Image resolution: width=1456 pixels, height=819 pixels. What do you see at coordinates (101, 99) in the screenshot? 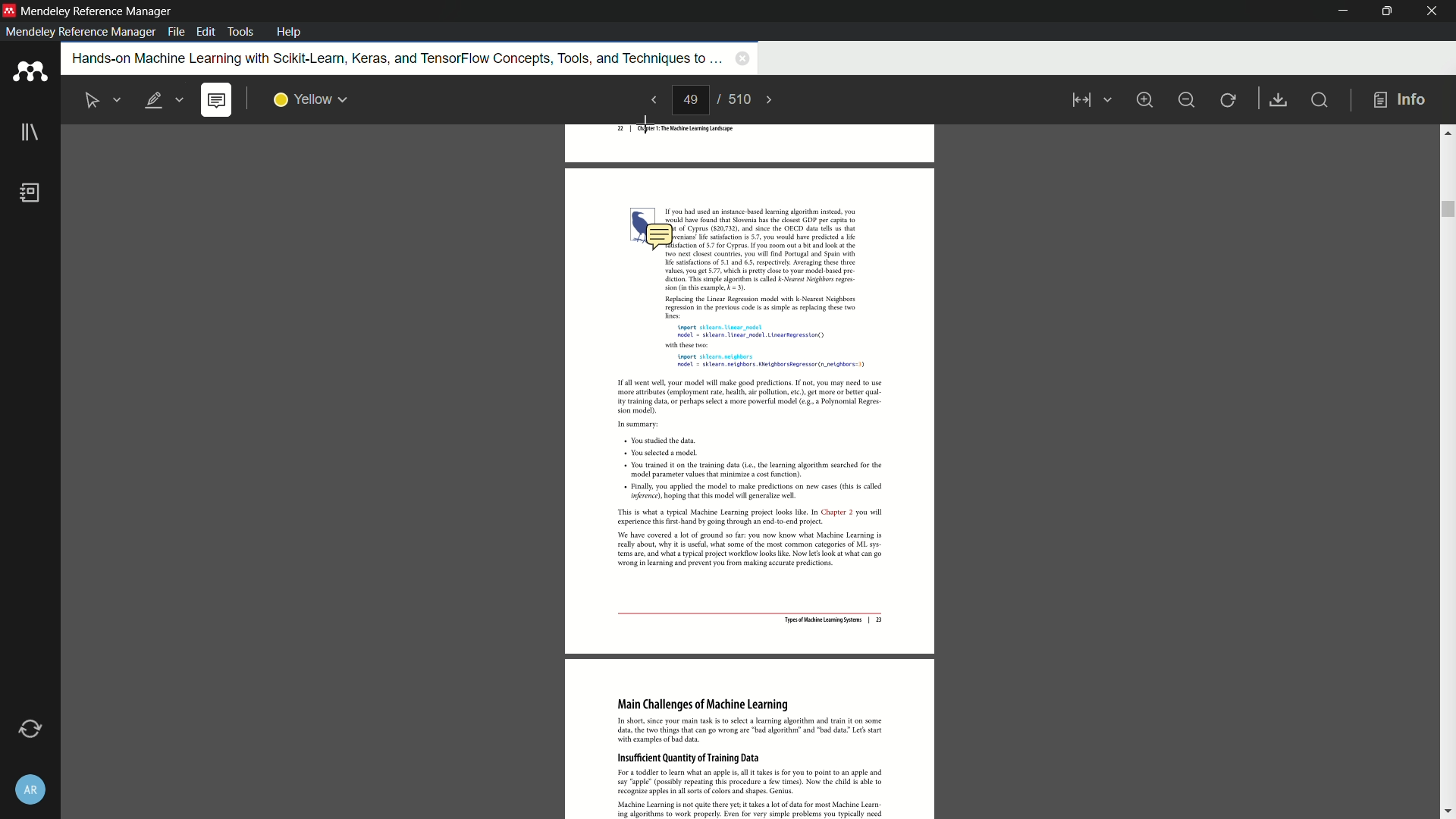
I see `select` at bounding box center [101, 99].